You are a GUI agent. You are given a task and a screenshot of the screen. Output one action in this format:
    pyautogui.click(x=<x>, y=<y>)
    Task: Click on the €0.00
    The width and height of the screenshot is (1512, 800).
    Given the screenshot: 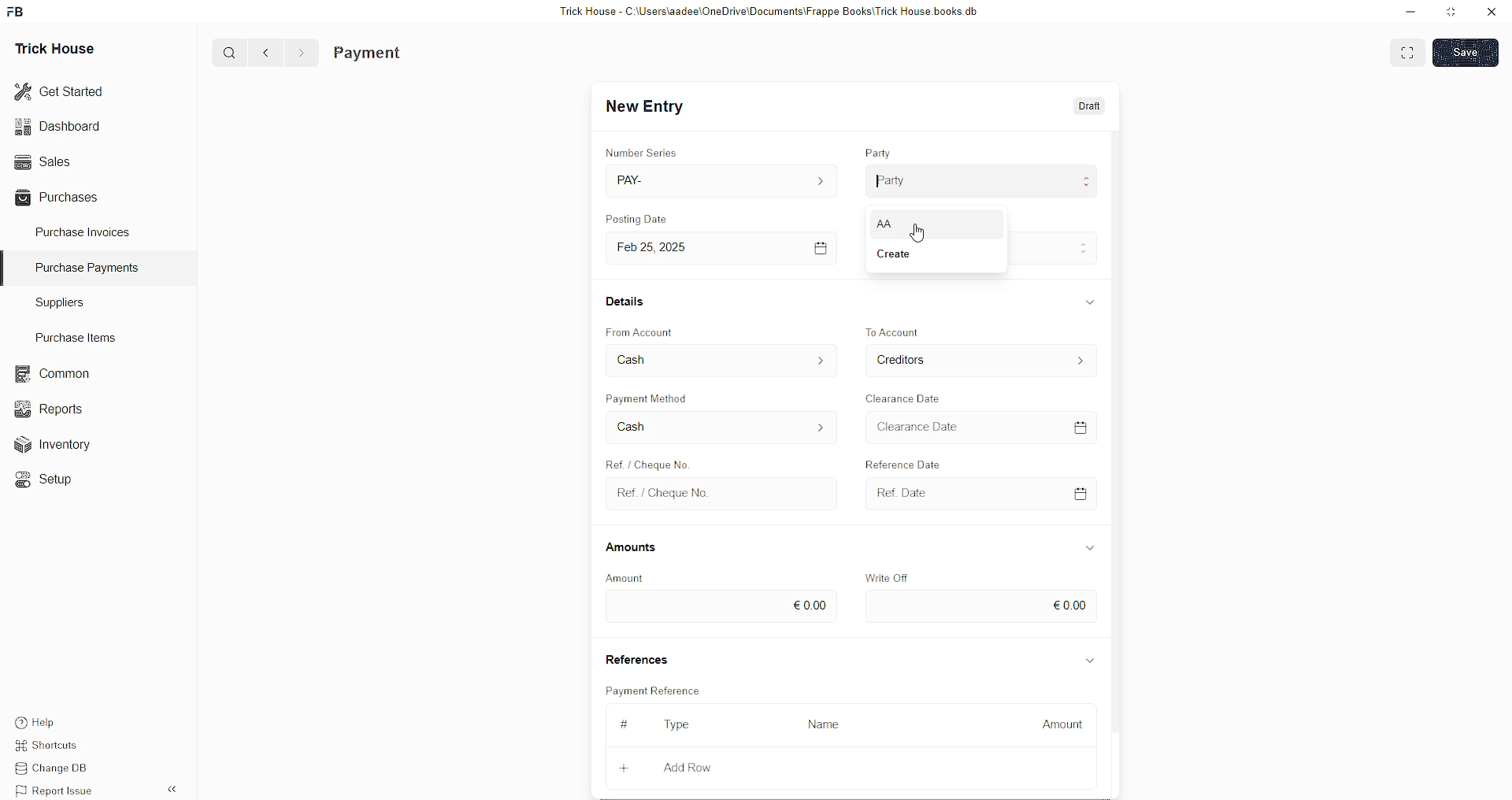 What is the action you would take?
    pyautogui.click(x=1070, y=603)
    